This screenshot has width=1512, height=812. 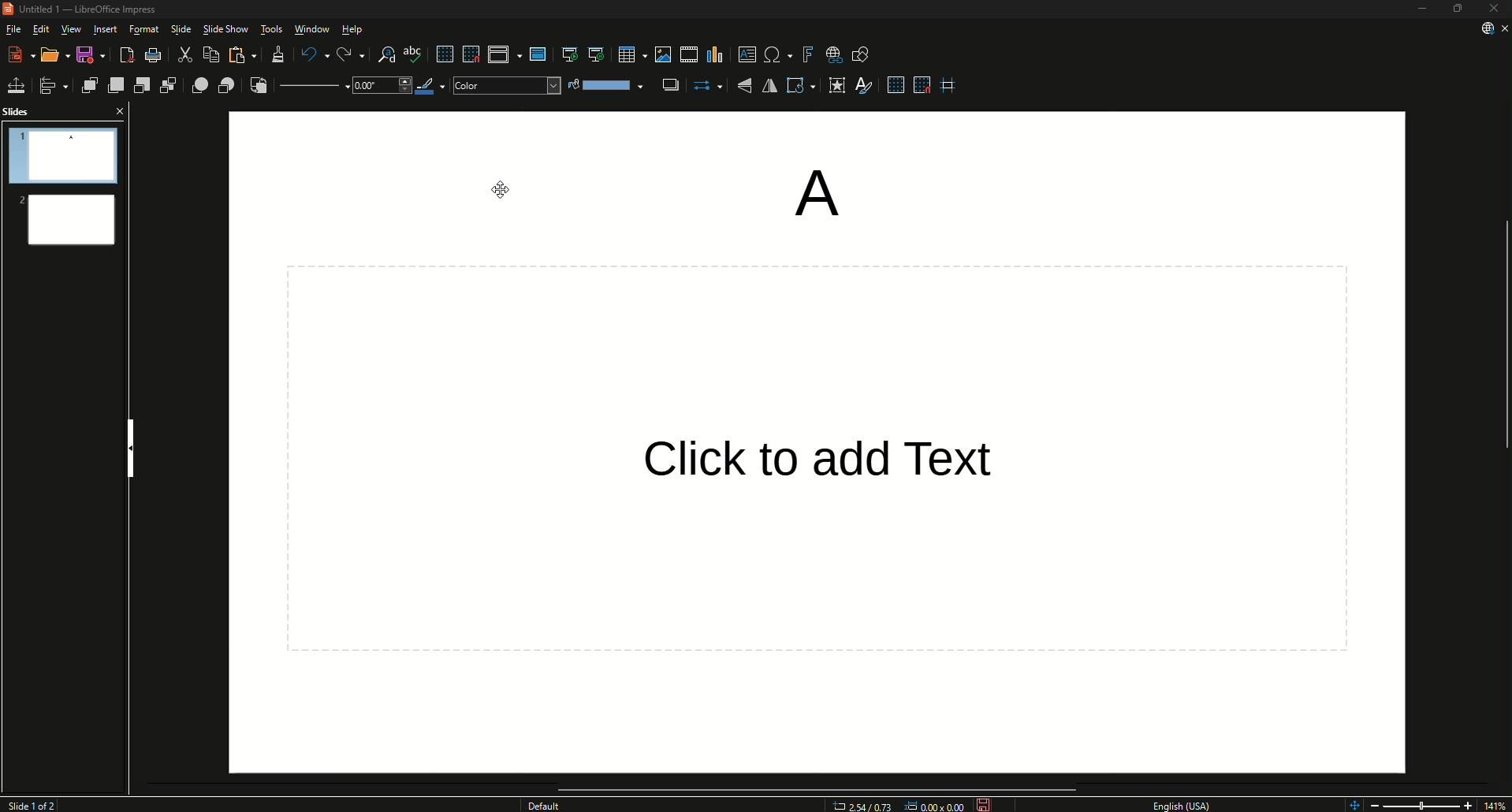 I want to click on Save, so click(x=984, y=803).